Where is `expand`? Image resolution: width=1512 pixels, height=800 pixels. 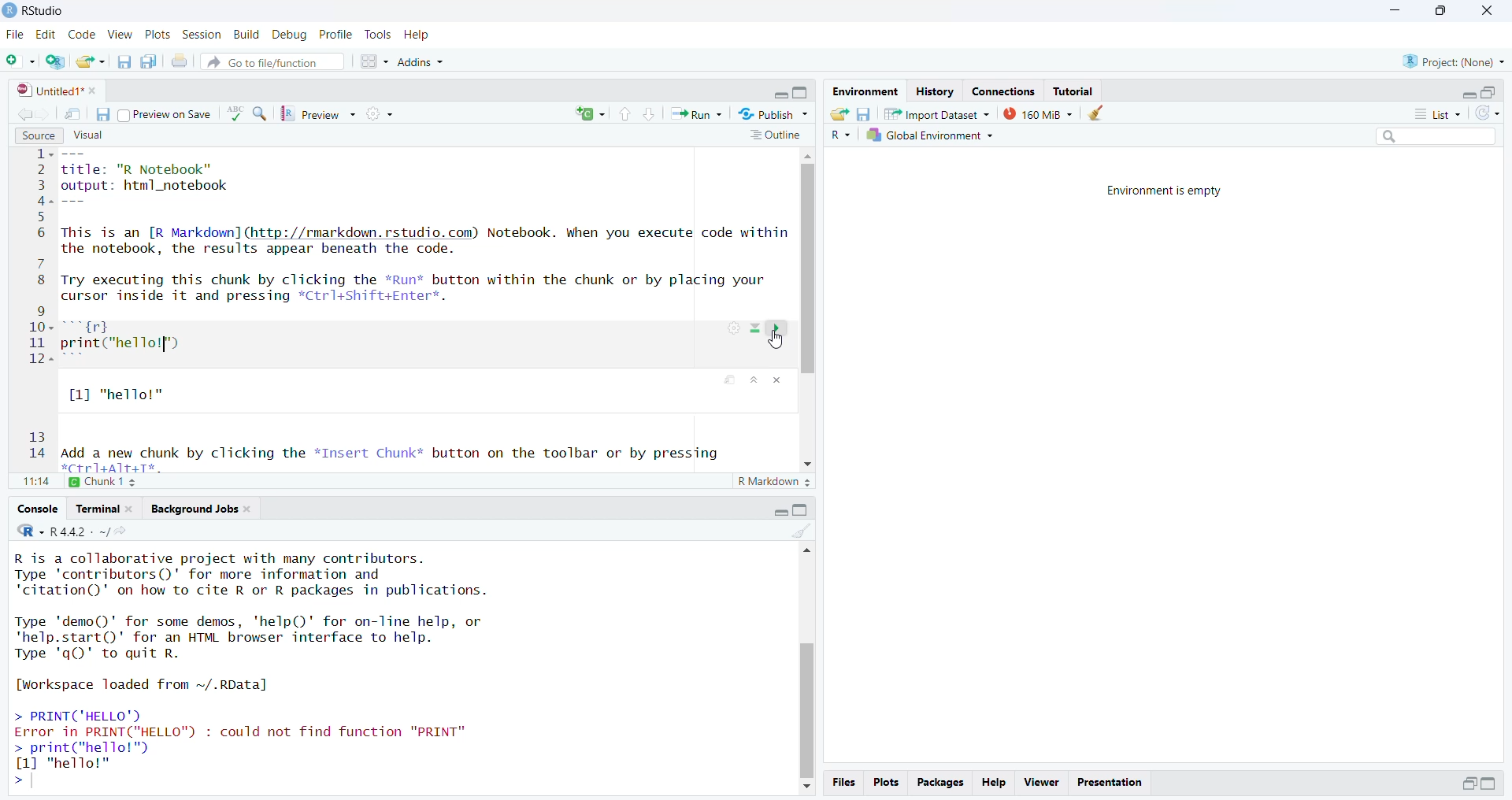 expand is located at coordinates (778, 95).